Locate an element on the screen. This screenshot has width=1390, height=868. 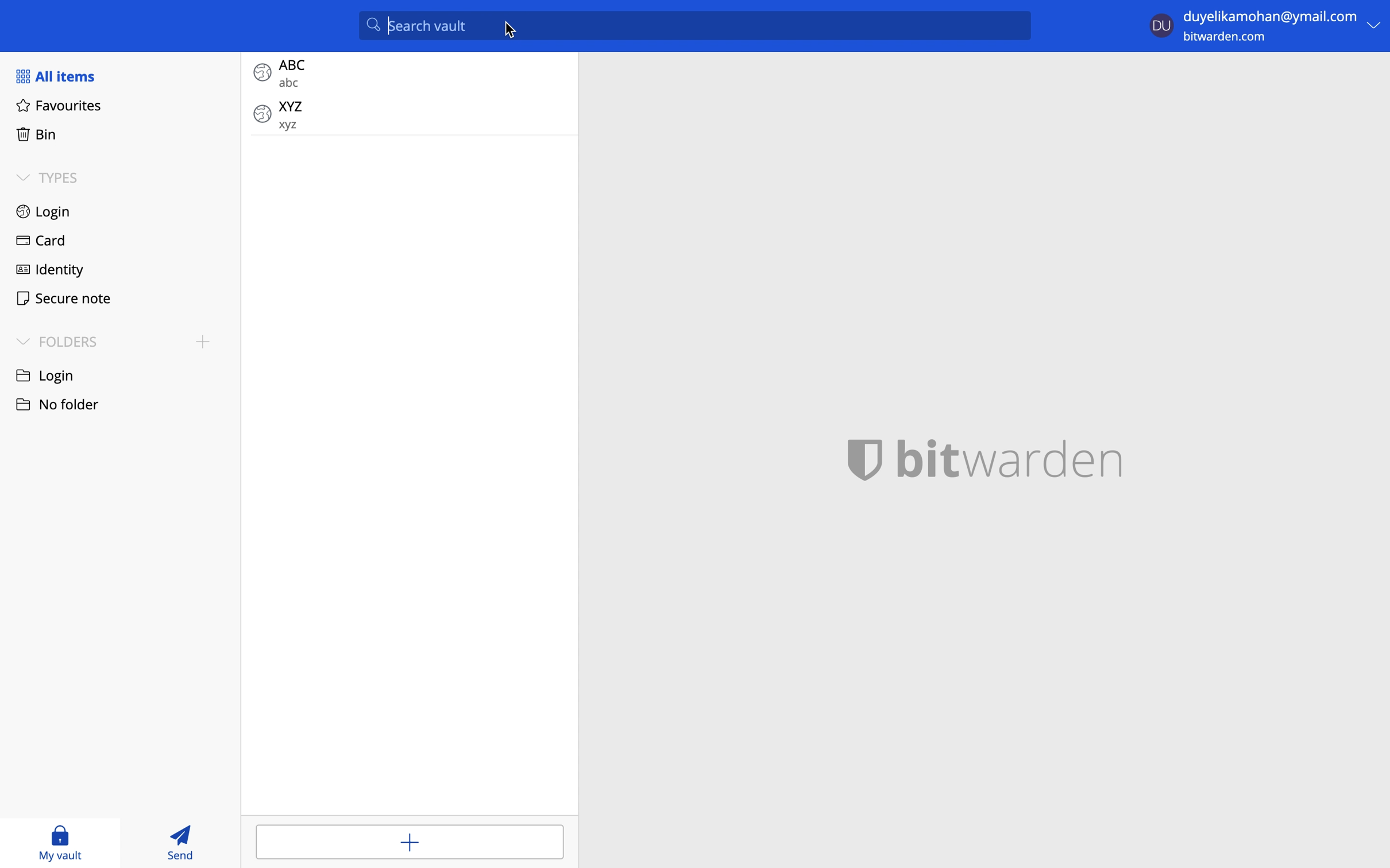
bin is located at coordinates (38, 135).